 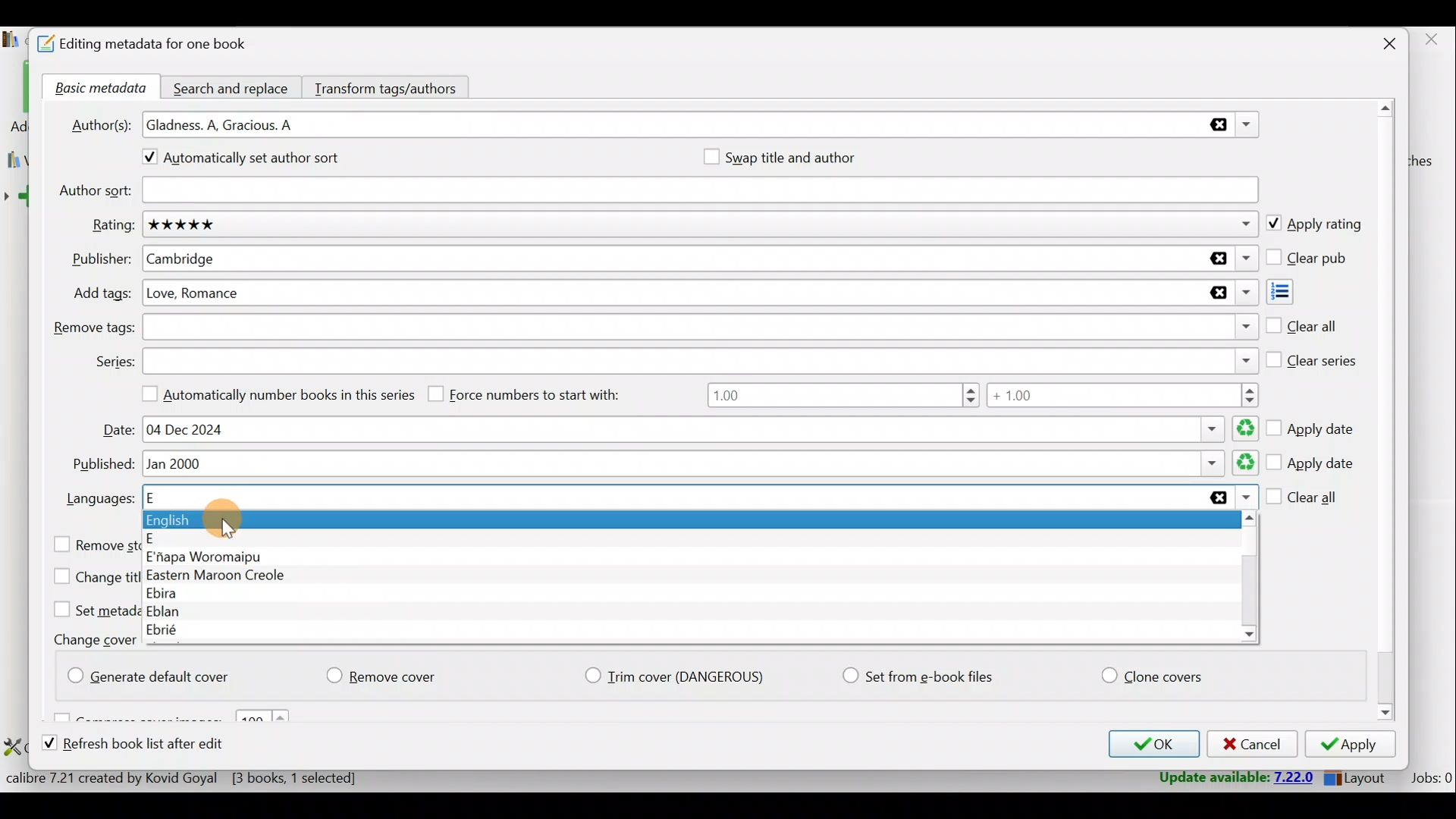 What do you see at coordinates (272, 393) in the screenshot?
I see `Automatically number books in this series` at bounding box center [272, 393].